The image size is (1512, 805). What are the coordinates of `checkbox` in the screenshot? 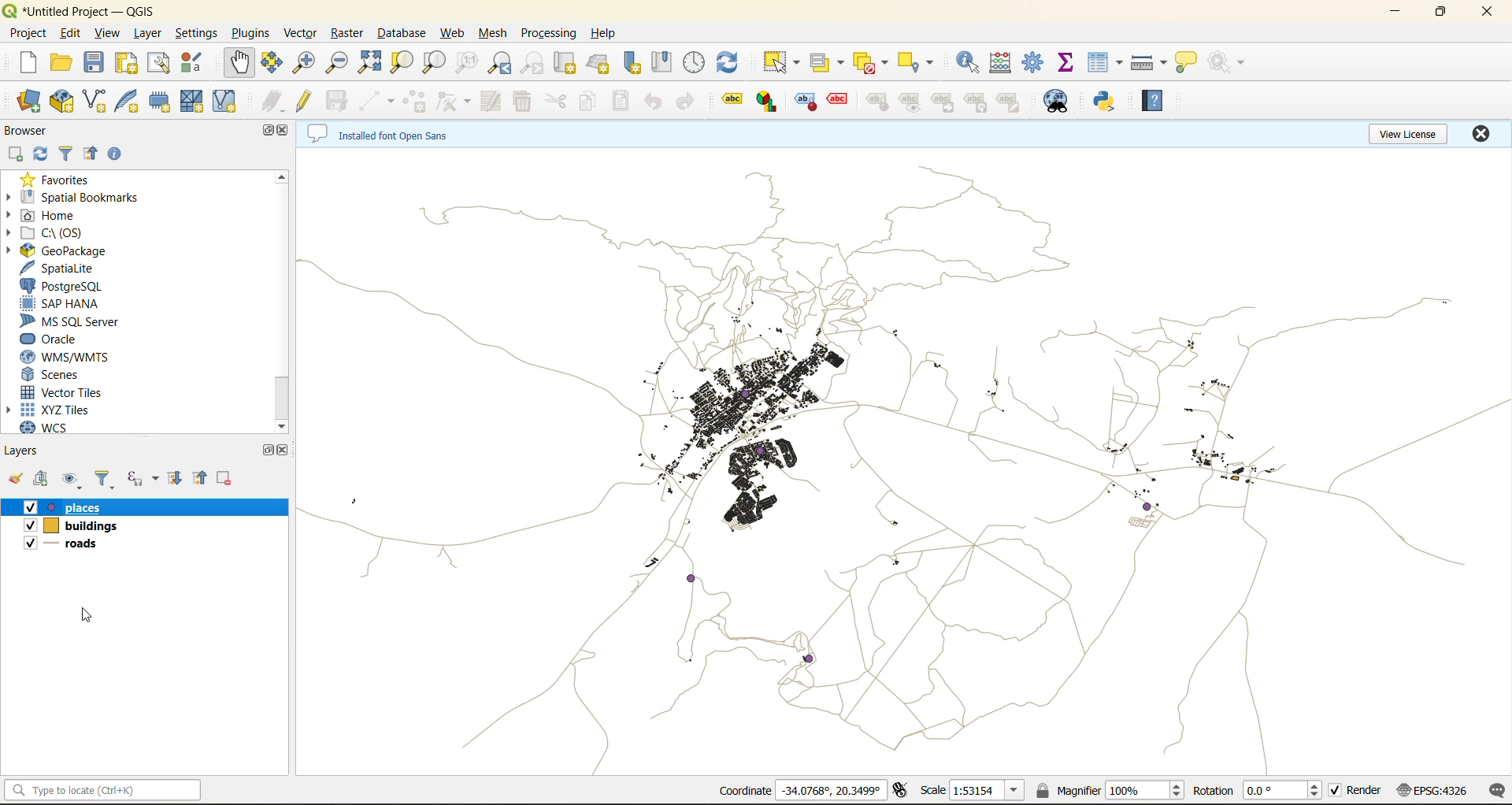 It's located at (28, 525).